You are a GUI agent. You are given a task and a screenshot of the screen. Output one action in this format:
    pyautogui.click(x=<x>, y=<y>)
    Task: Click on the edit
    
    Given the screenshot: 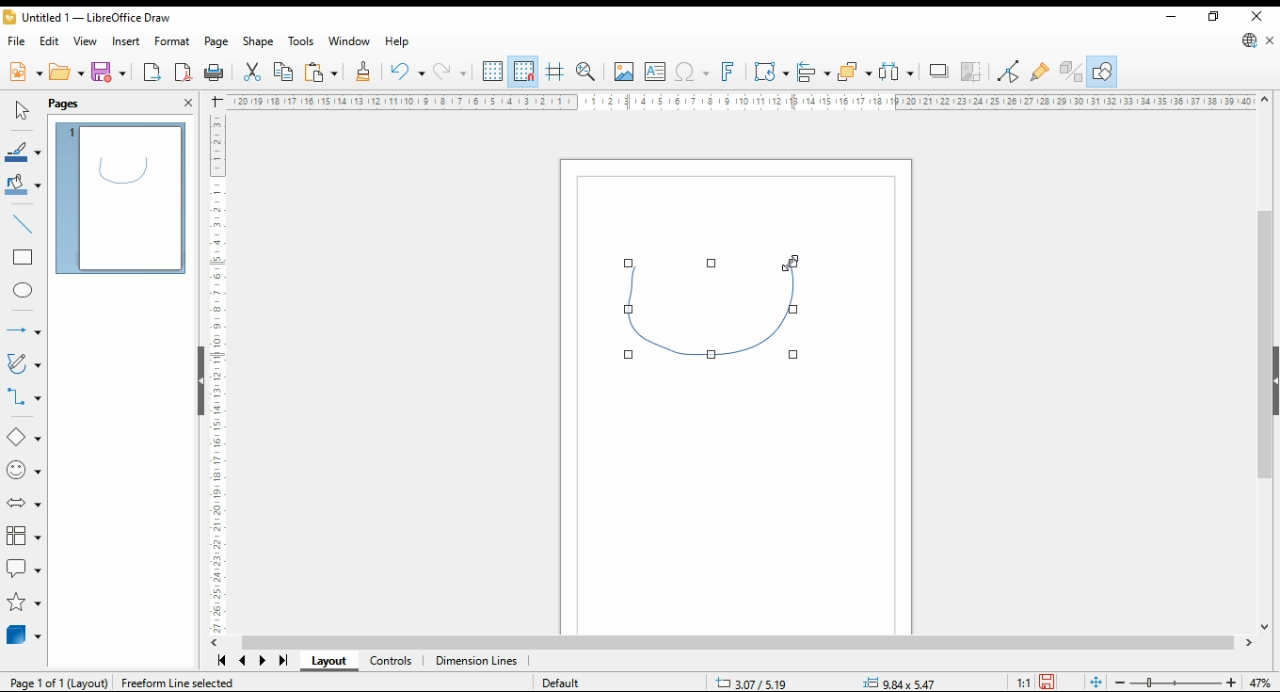 What is the action you would take?
    pyautogui.click(x=50, y=41)
    